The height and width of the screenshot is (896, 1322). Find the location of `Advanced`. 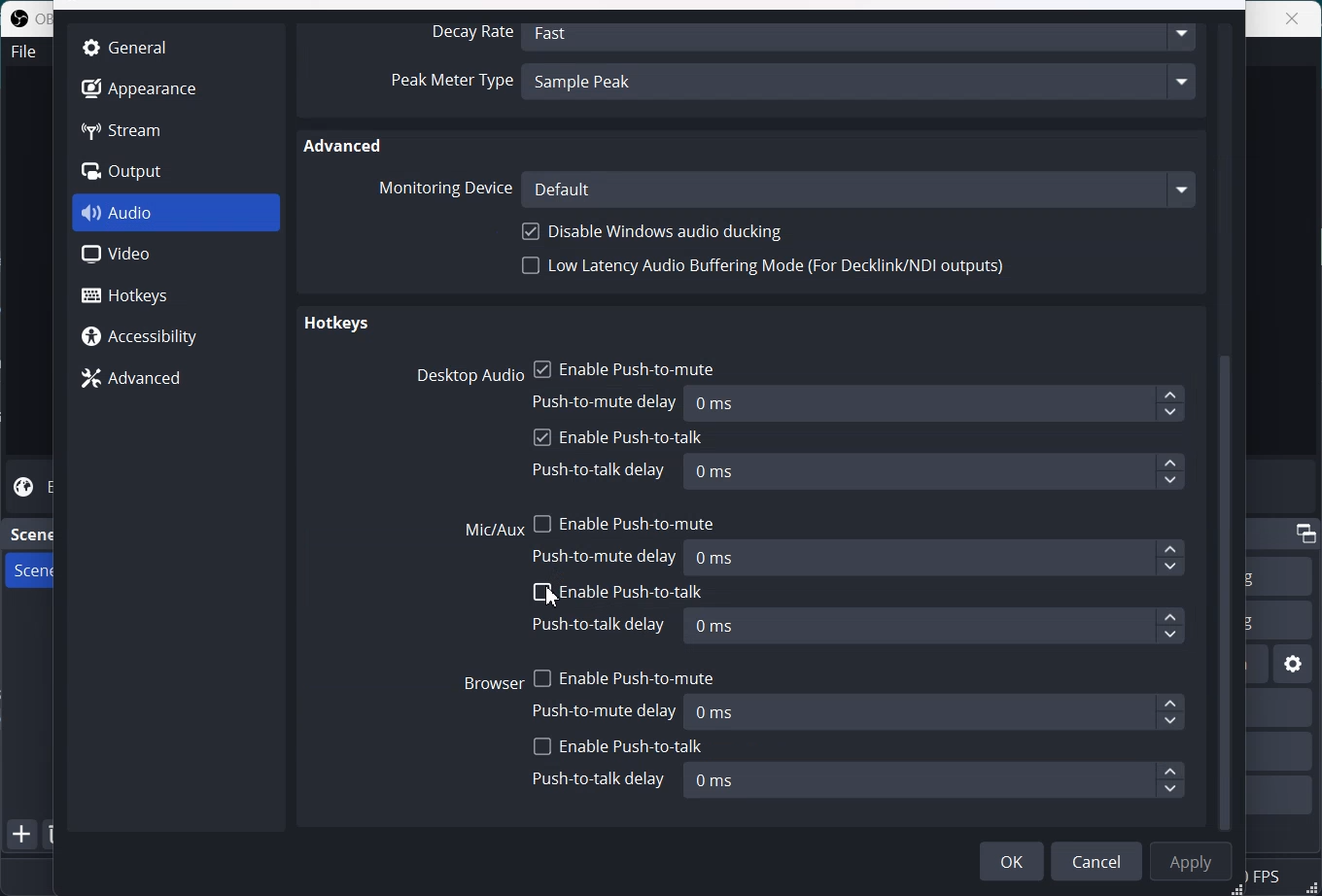

Advanced is located at coordinates (345, 145).